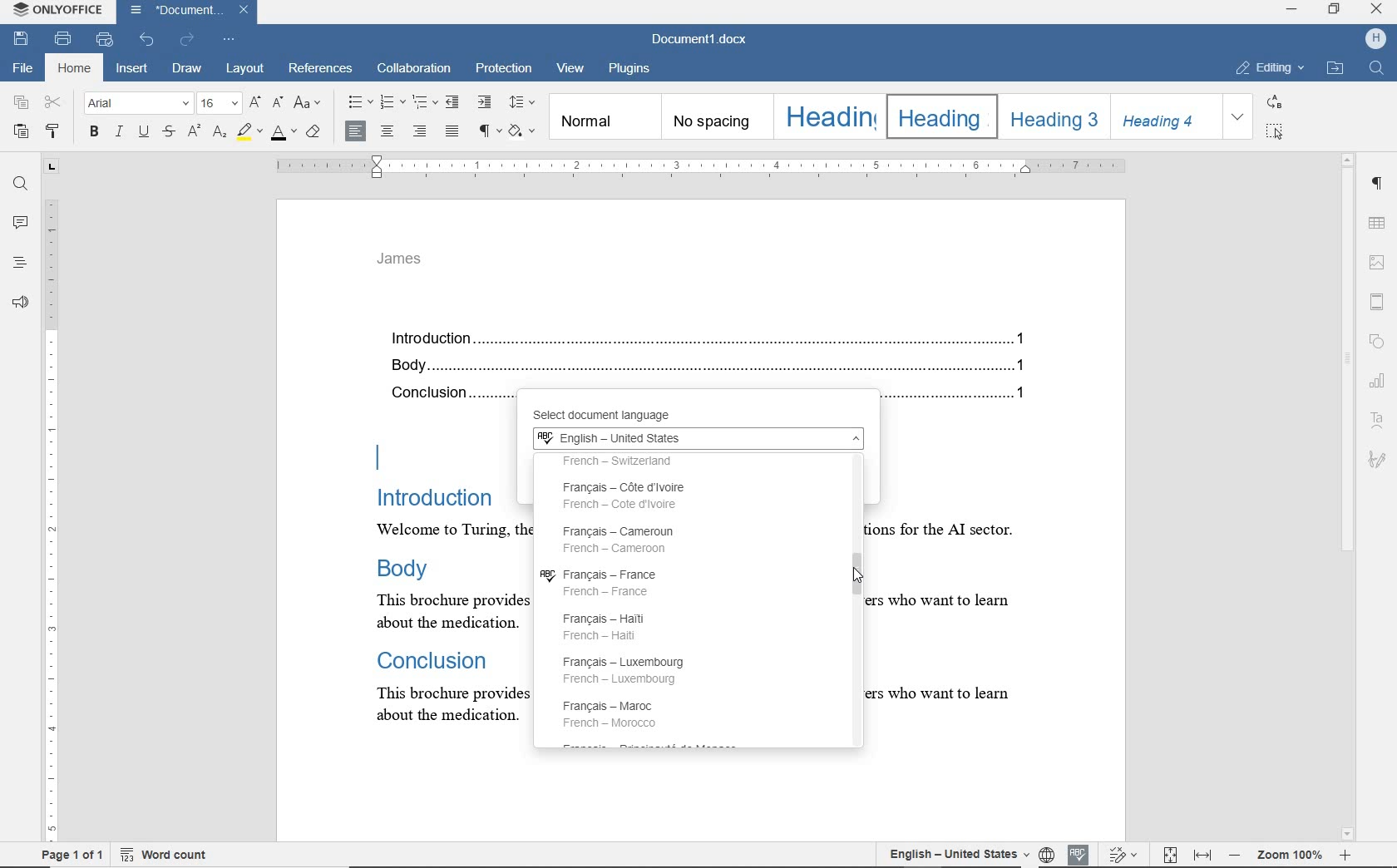  I want to click on , so click(951, 555).